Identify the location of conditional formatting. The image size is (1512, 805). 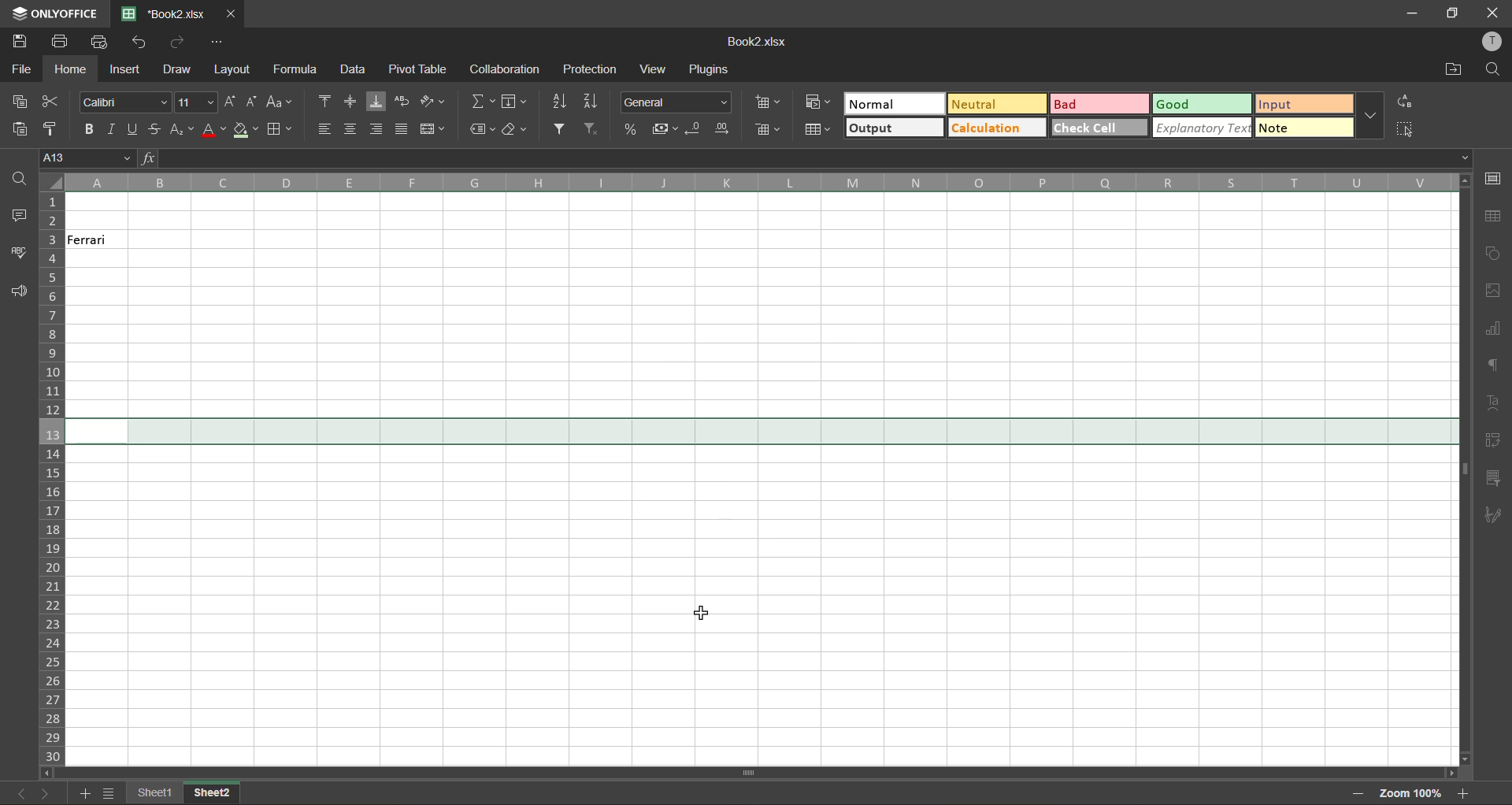
(817, 102).